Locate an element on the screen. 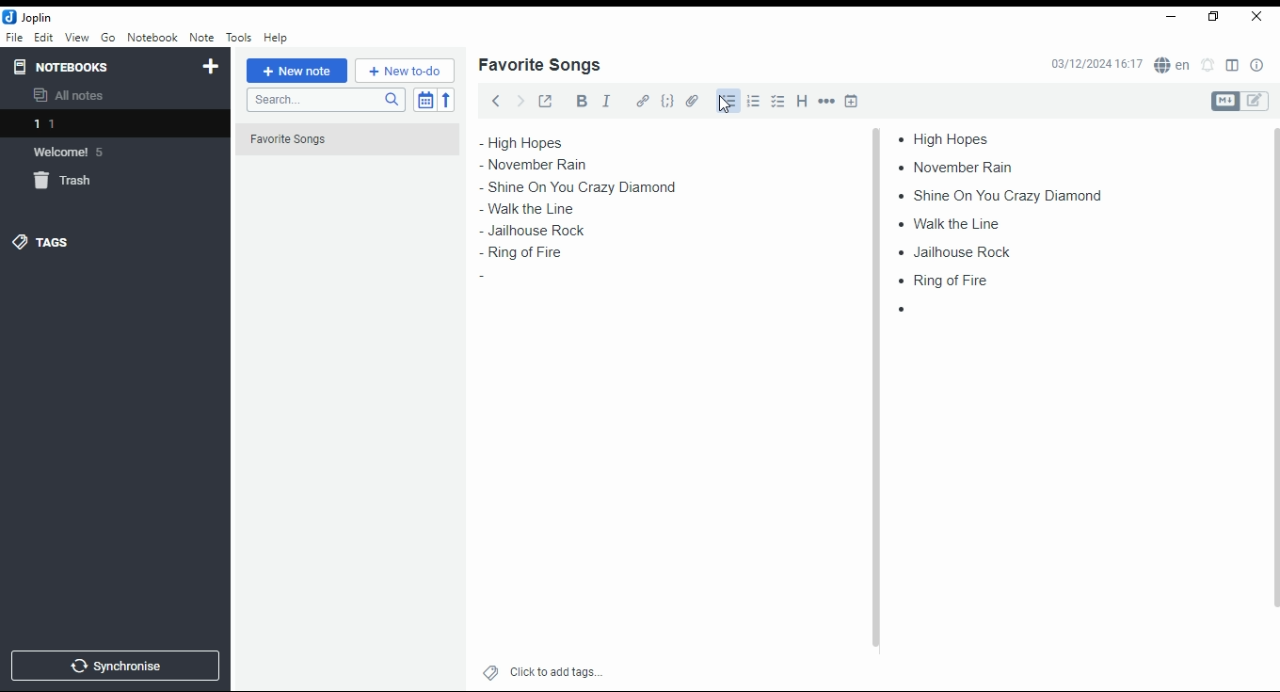 This screenshot has height=692, width=1280. note properties is located at coordinates (1258, 66).